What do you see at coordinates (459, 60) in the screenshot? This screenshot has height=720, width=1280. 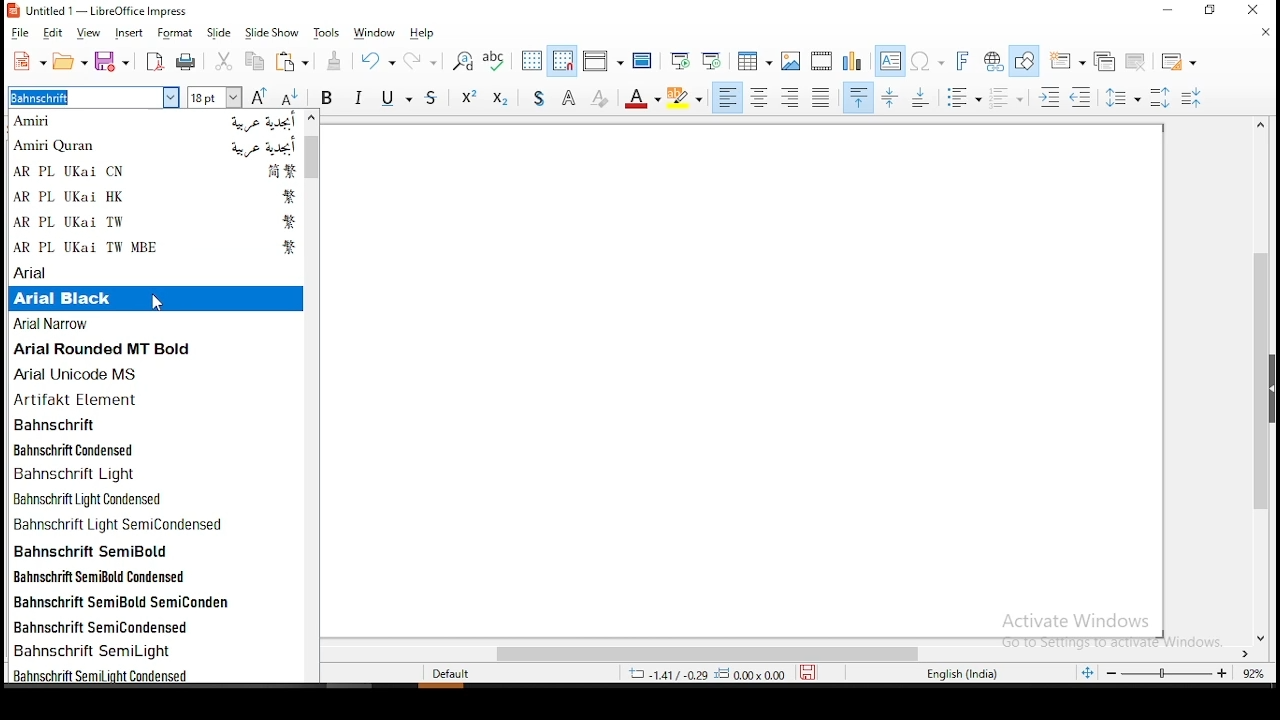 I see `find and replace` at bounding box center [459, 60].